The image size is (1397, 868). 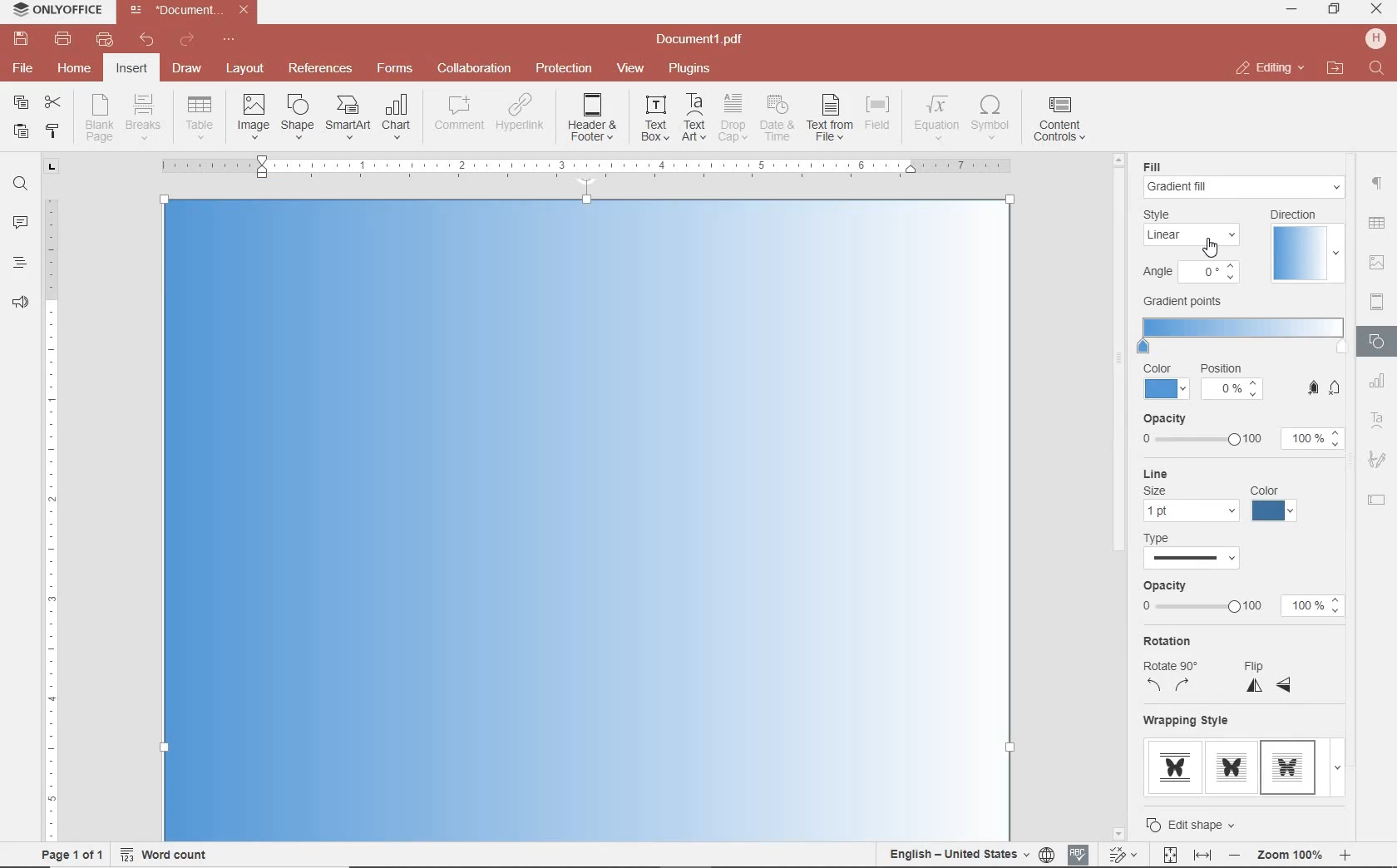 I want to click on TYPE, so click(x=1243, y=377).